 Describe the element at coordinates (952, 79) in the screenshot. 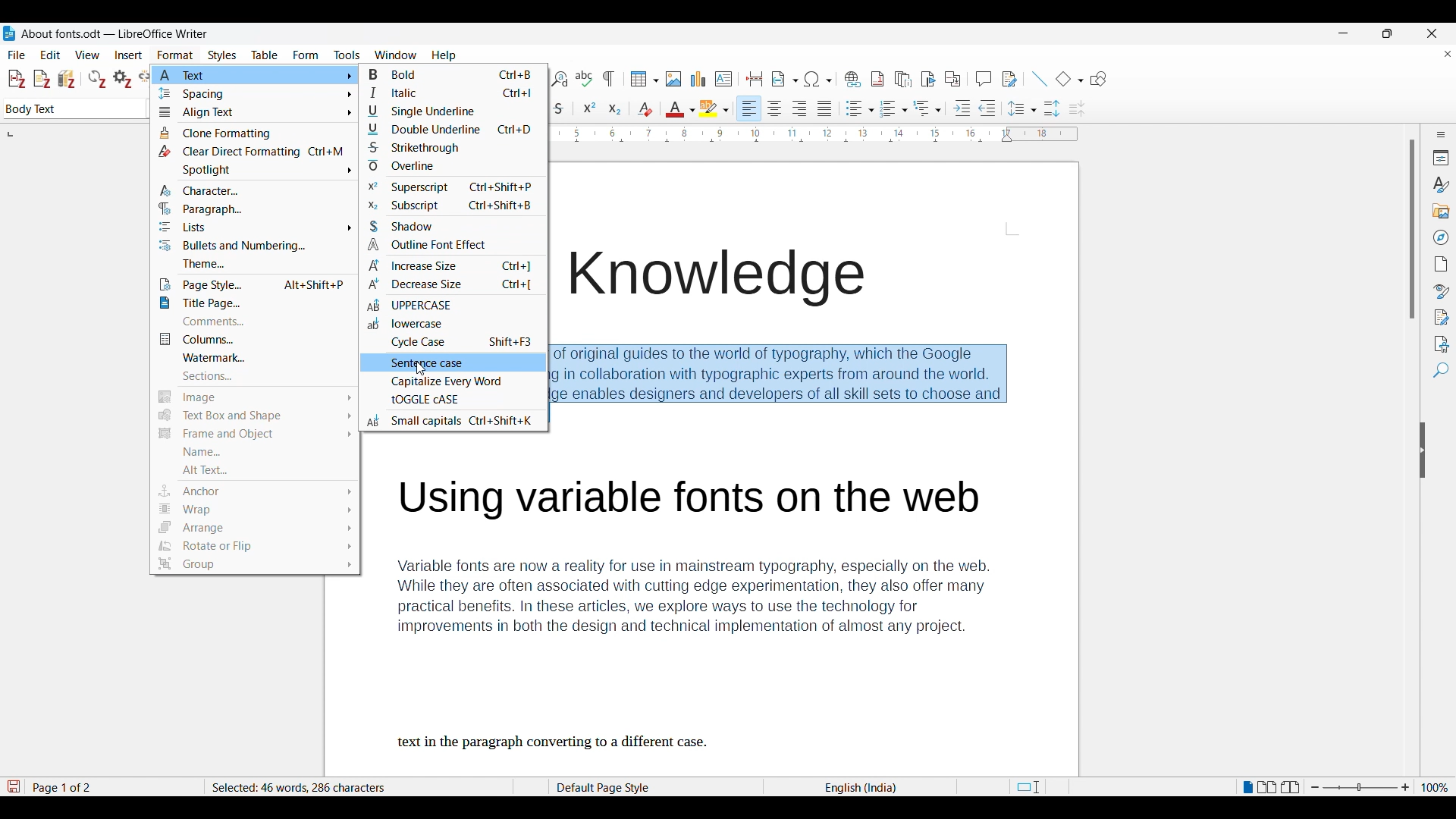

I see `Insert cross-reference` at that location.